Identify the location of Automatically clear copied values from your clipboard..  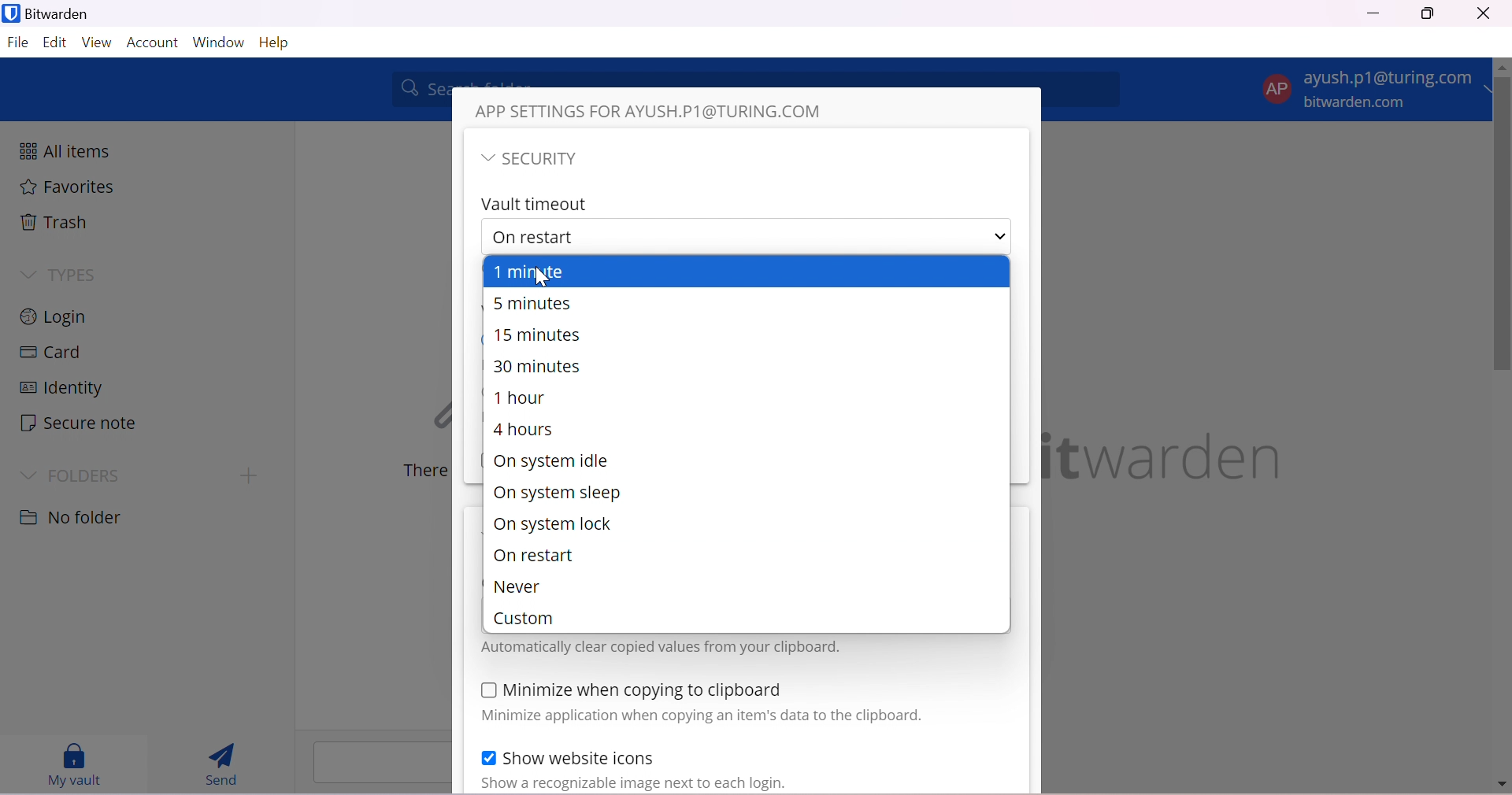
(660, 647).